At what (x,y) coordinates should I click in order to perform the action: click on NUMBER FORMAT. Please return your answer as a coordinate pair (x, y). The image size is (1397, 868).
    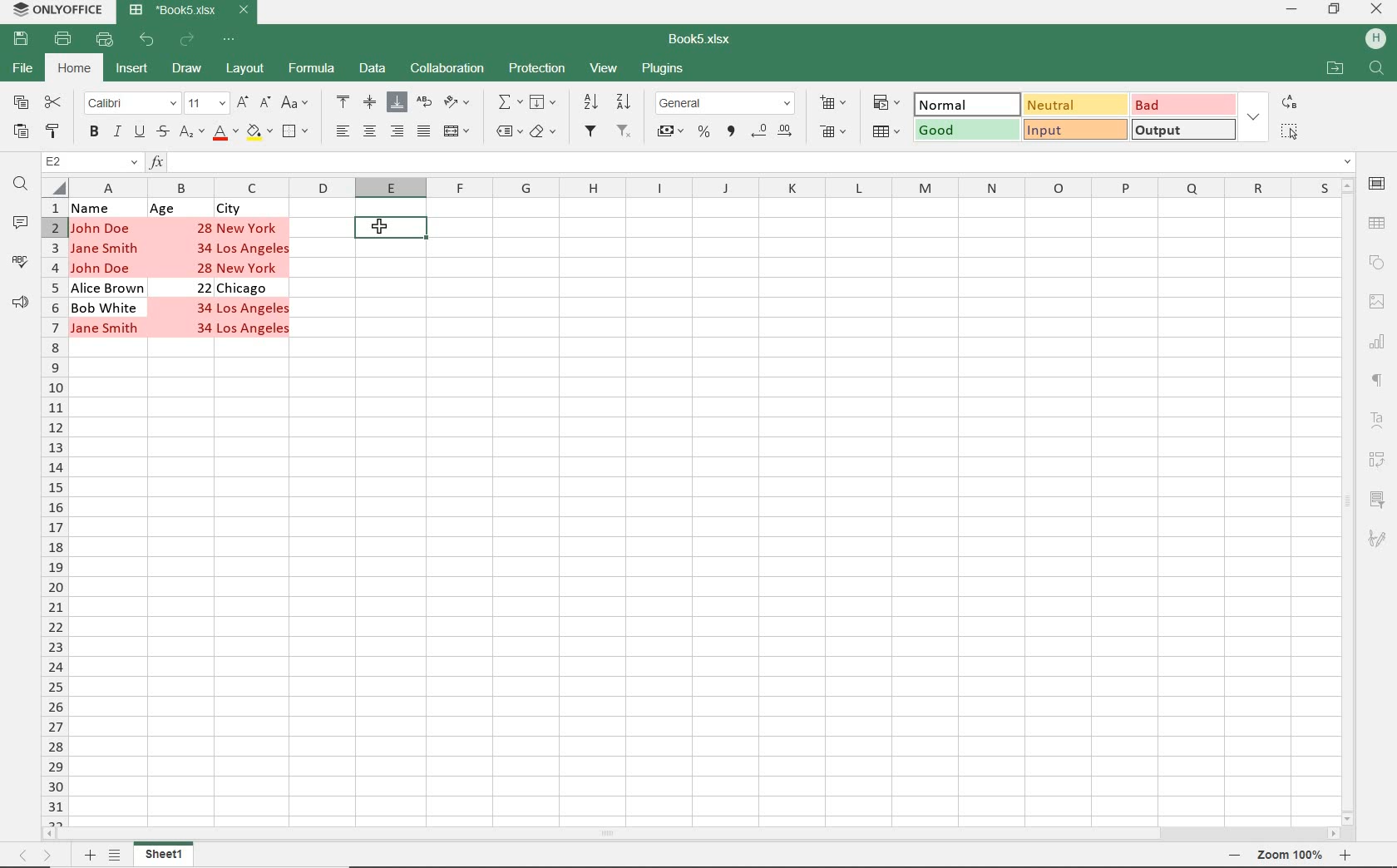
    Looking at the image, I should click on (725, 106).